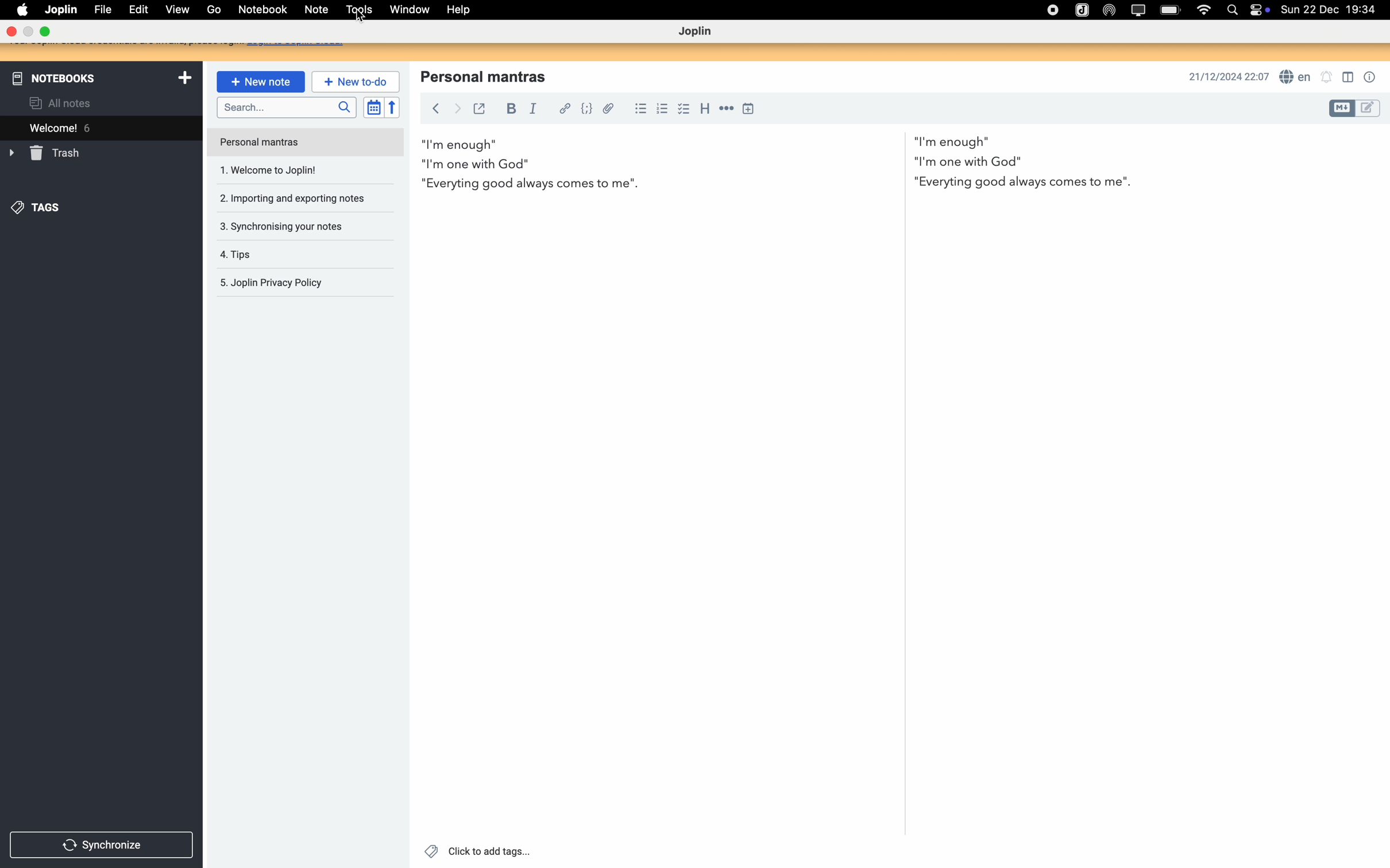 The width and height of the screenshot is (1390, 868). Describe the element at coordinates (728, 108) in the screenshot. I see `horizontal rule` at that location.